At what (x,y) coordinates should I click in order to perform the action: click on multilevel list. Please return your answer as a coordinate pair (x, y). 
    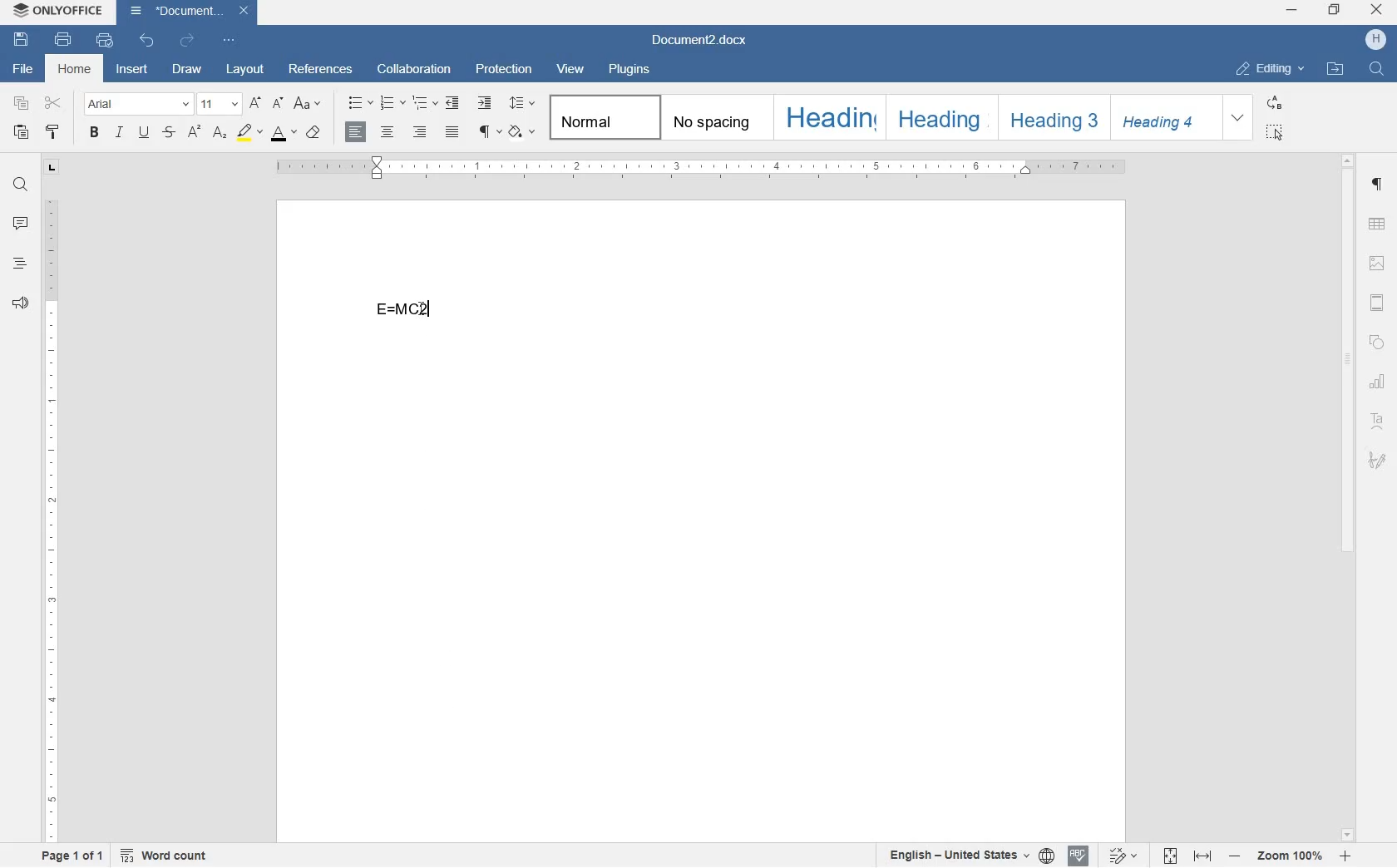
    Looking at the image, I should click on (426, 103).